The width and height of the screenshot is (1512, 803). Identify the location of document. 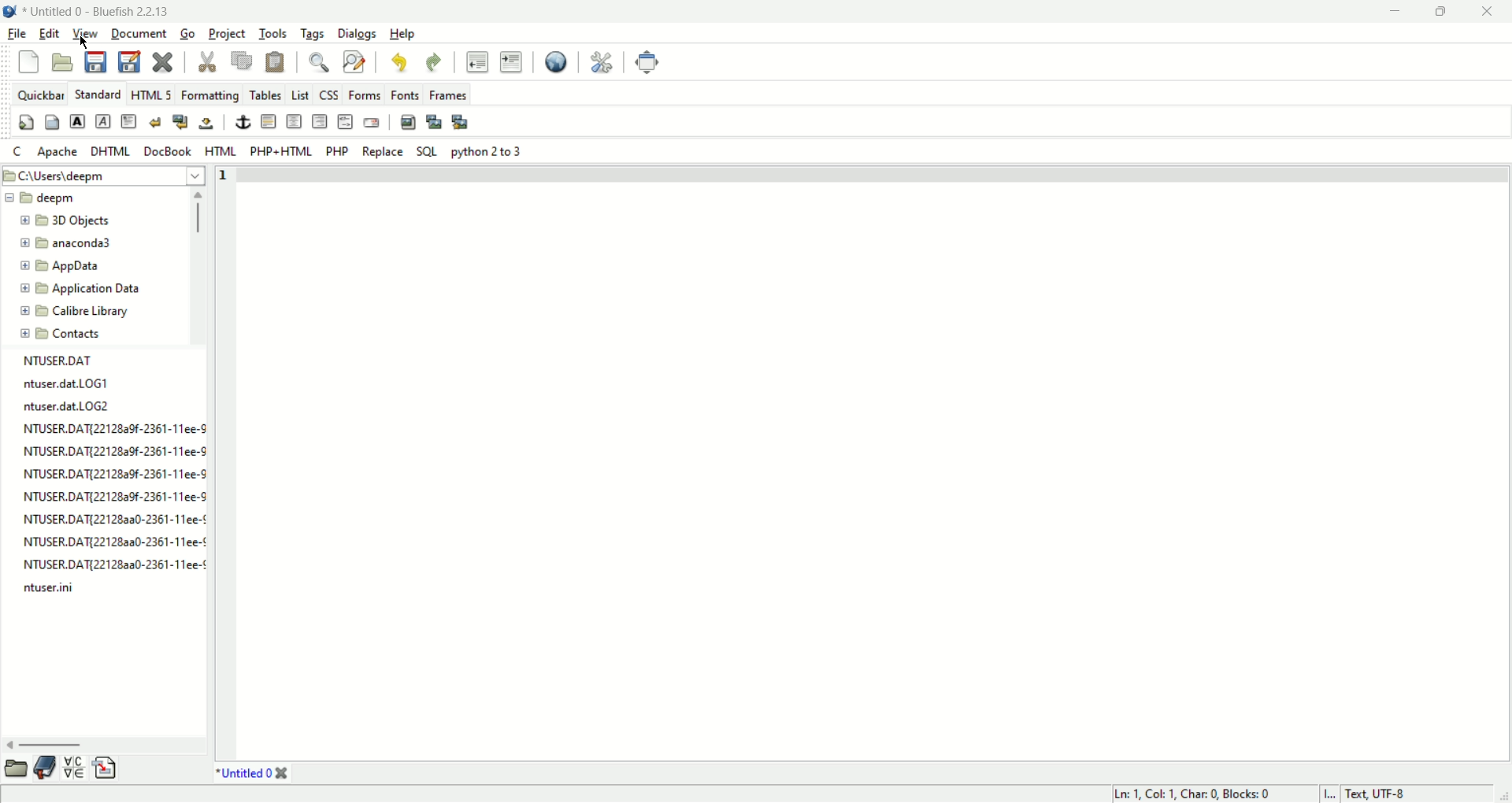
(138, 33).